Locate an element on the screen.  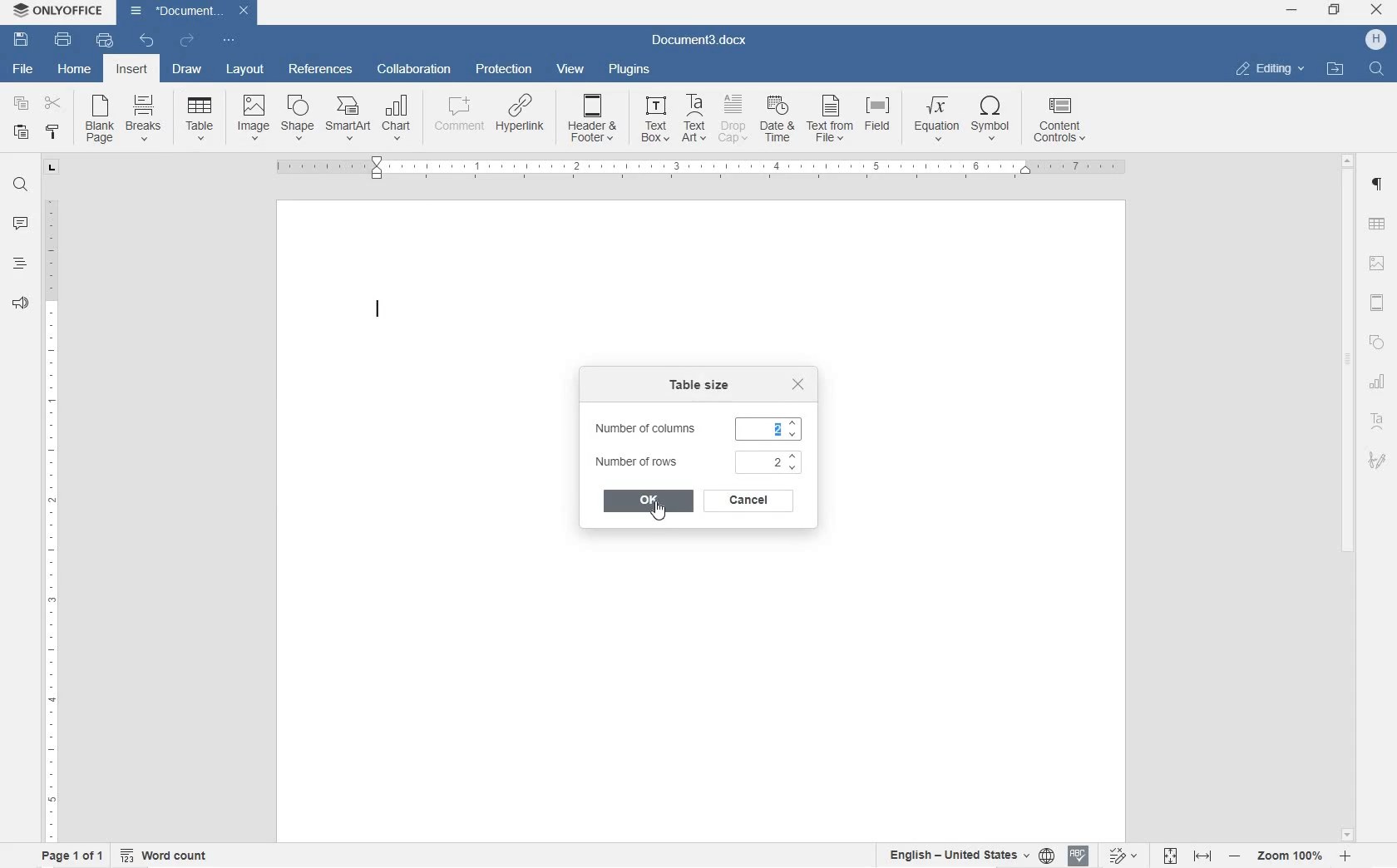
Blank Page is located at coordinates (100, 120).